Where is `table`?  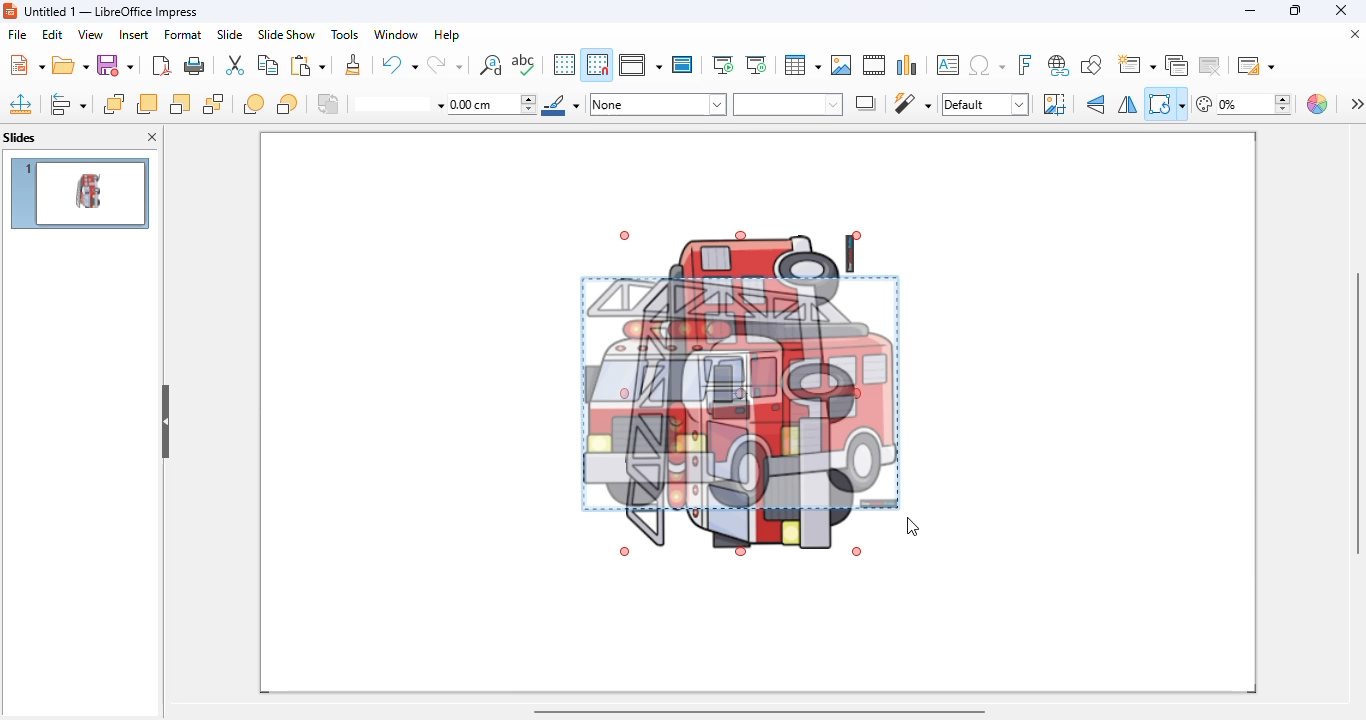 table is located at coordinates (803, 65).